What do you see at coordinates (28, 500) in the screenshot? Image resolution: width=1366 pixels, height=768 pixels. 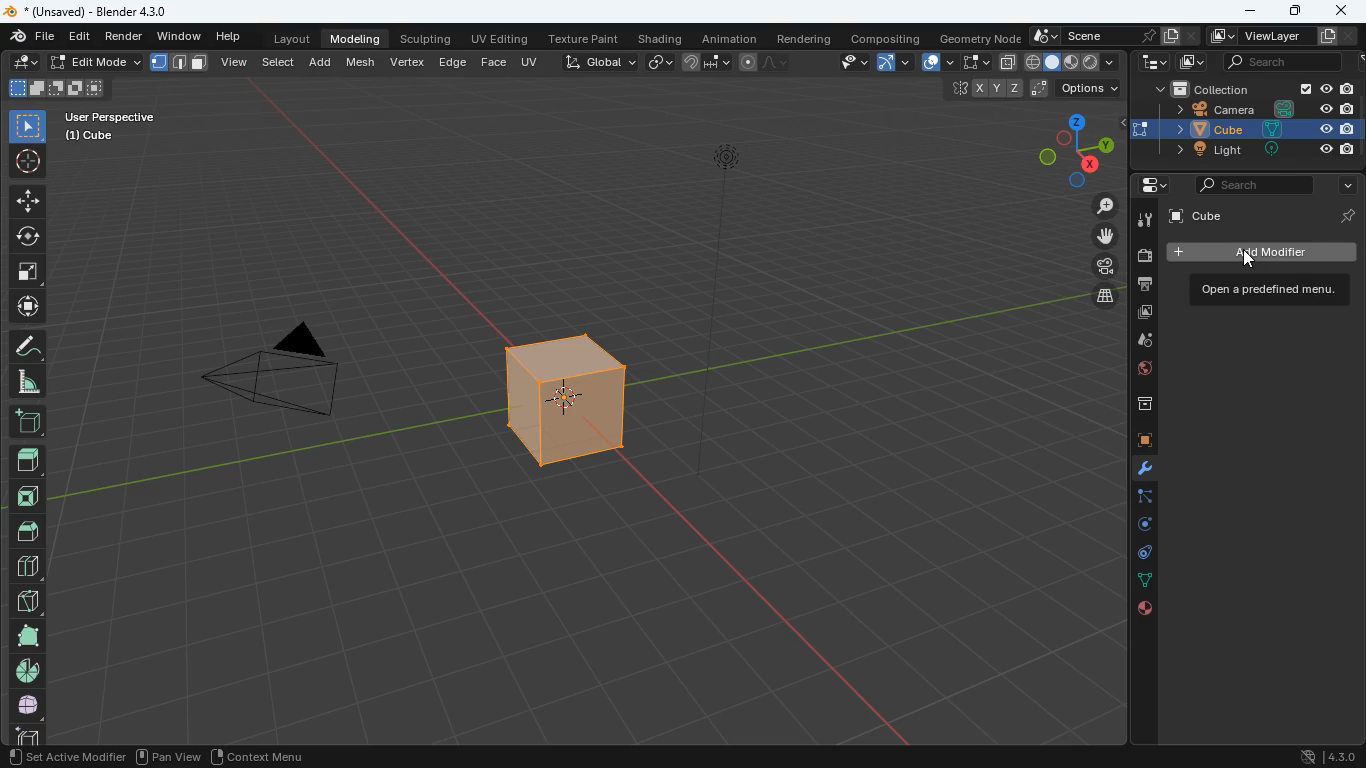 I see `front` at bounding box center [28, 500].